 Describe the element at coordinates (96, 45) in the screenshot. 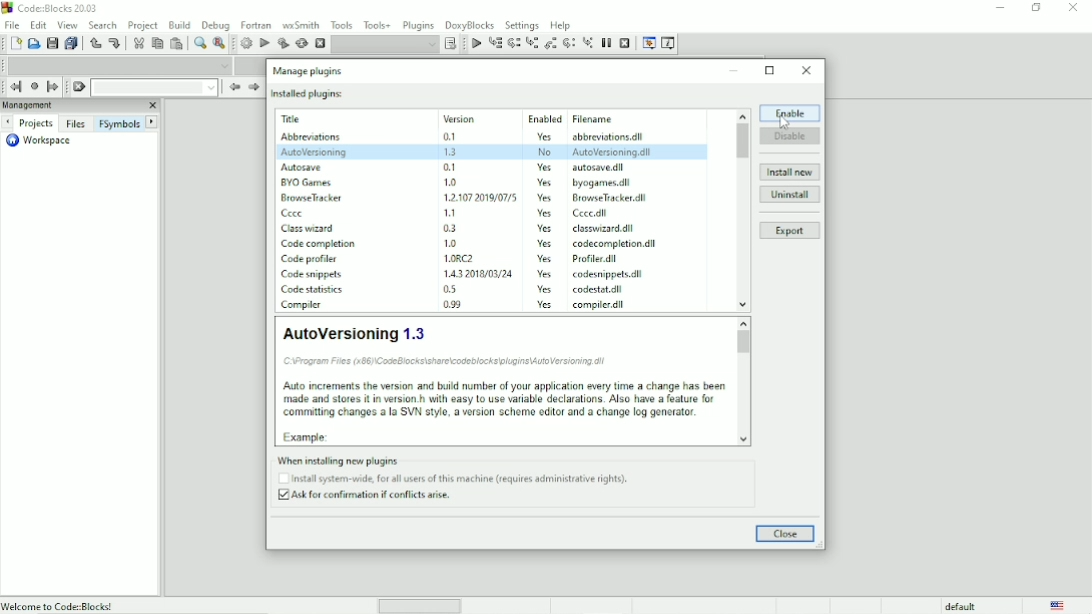

I see `Undo` at that location.